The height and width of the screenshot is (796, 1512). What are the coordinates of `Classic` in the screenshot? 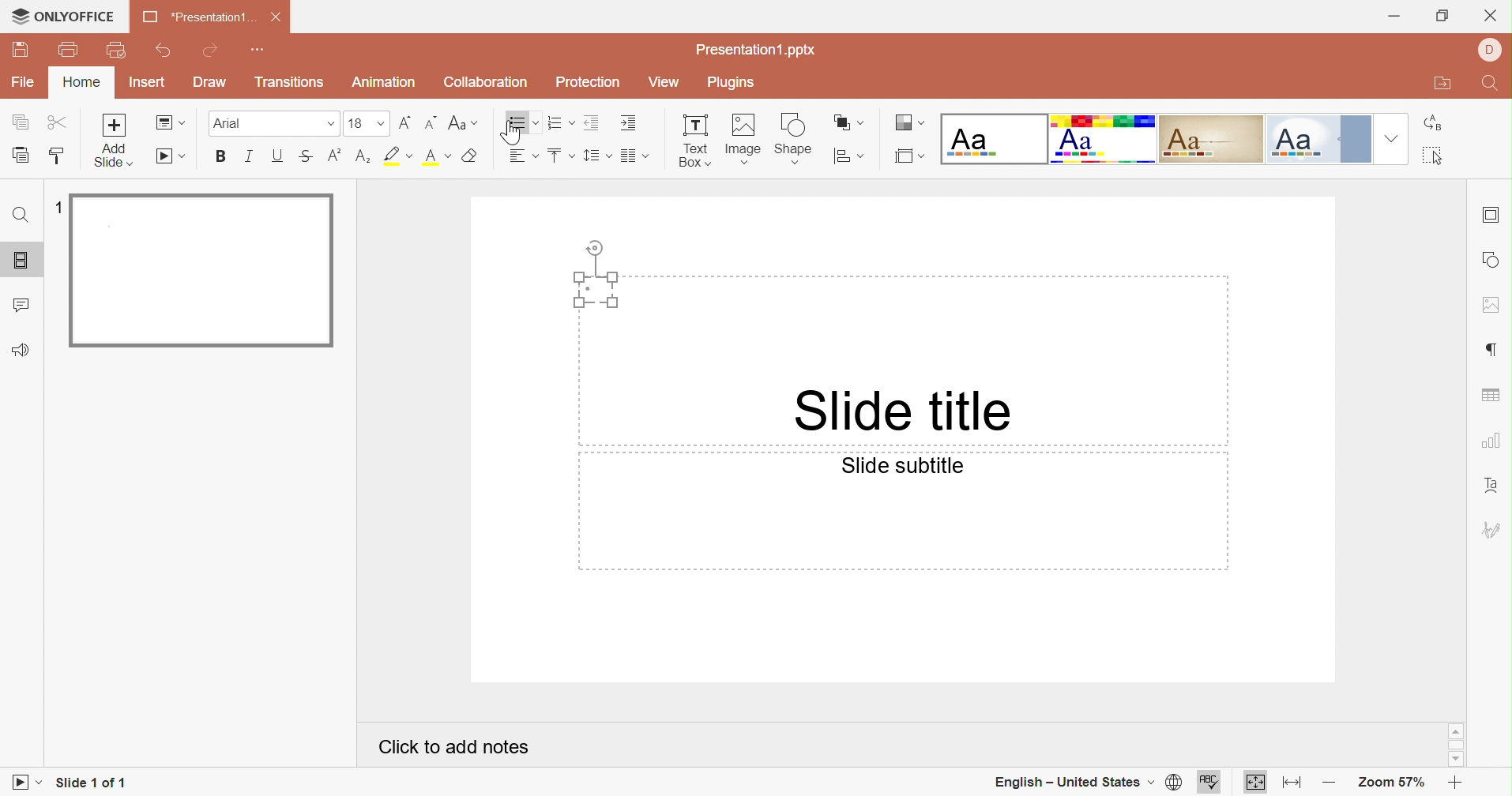 It's located at (1213, 140).